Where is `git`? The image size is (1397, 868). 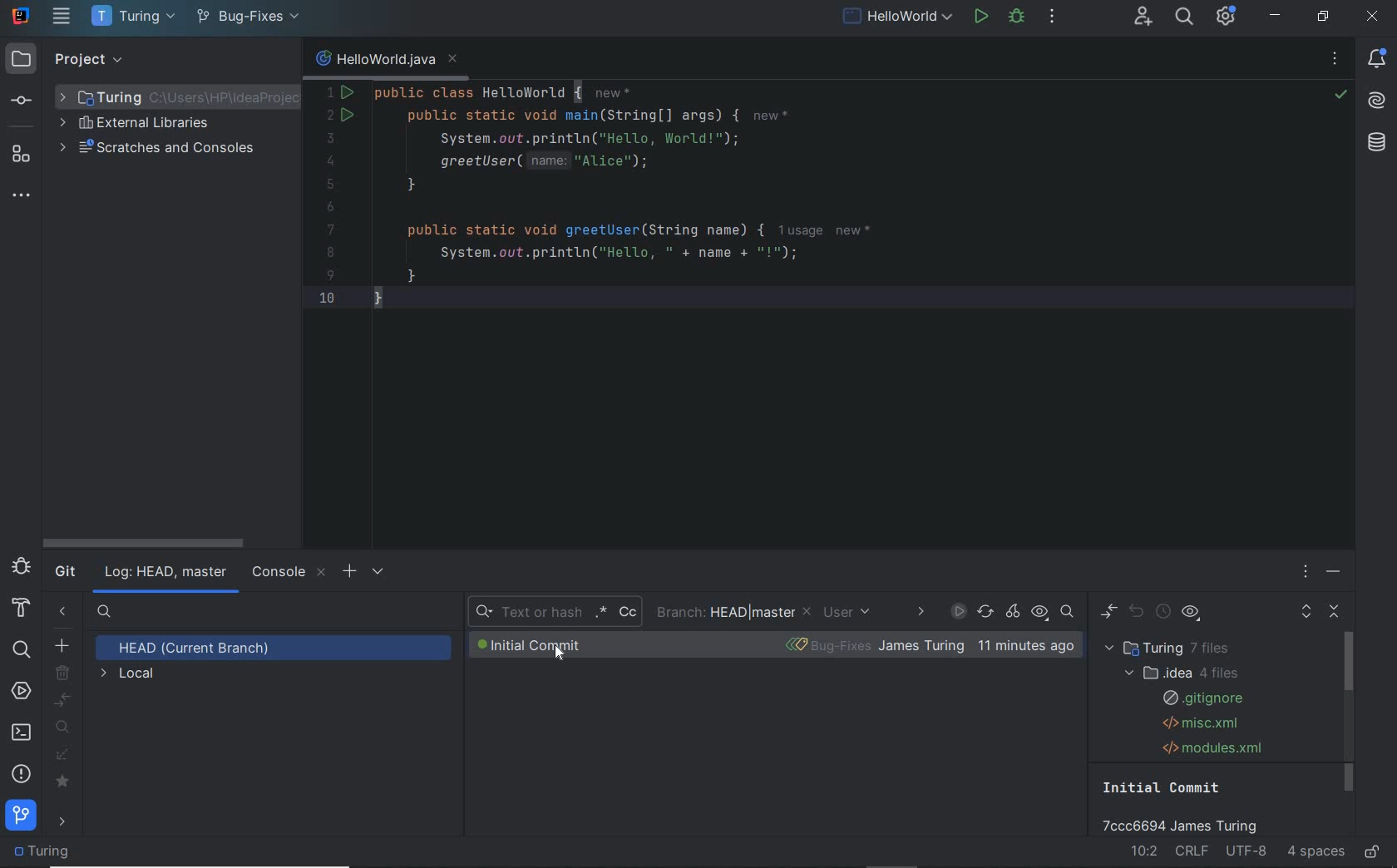
git is located at coordinates (22, 819).